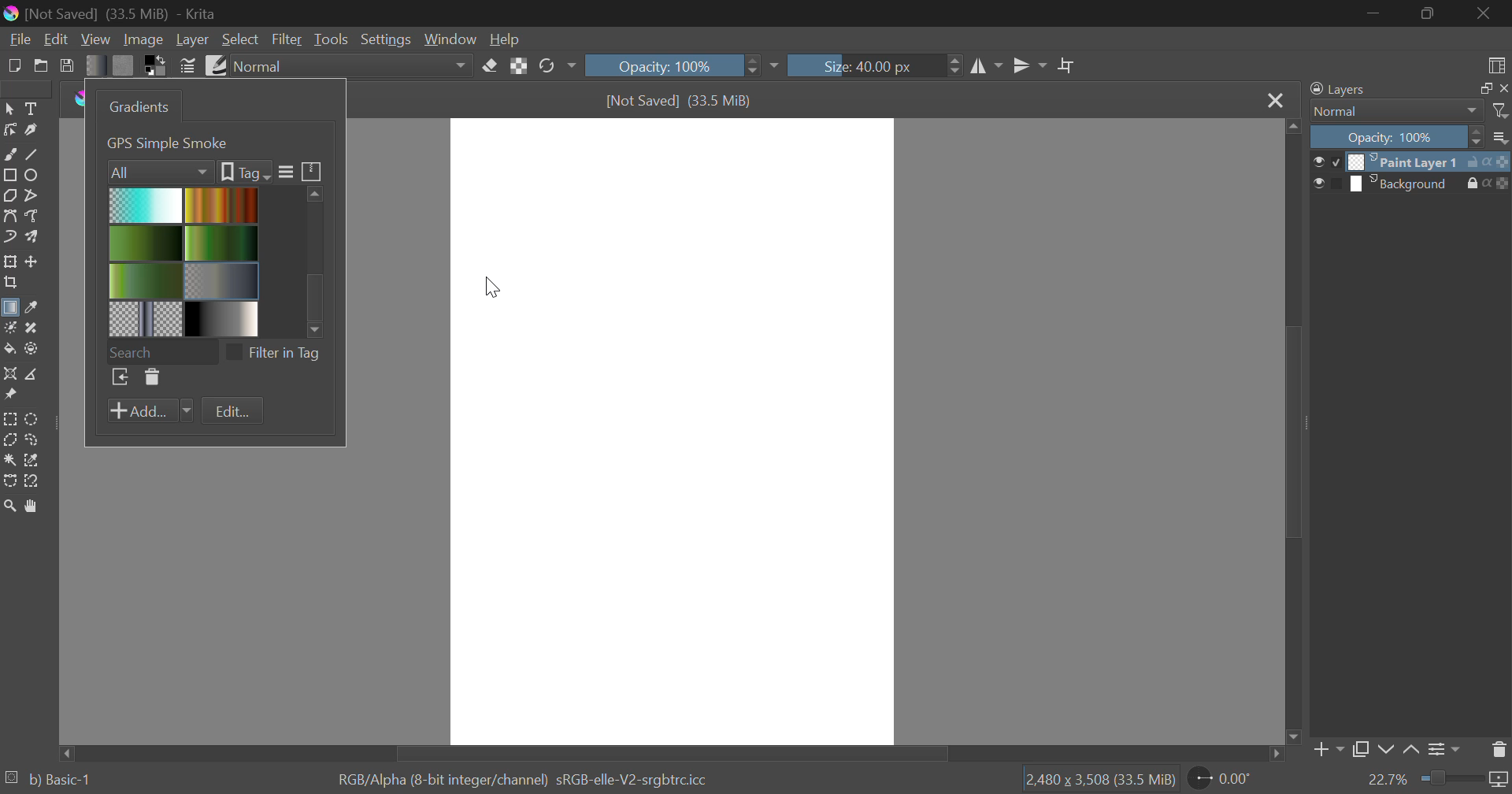  What do you see at coordinates (9, 397) in the screenshot?
I see `Reference Images` at bounding box center [9, 397].